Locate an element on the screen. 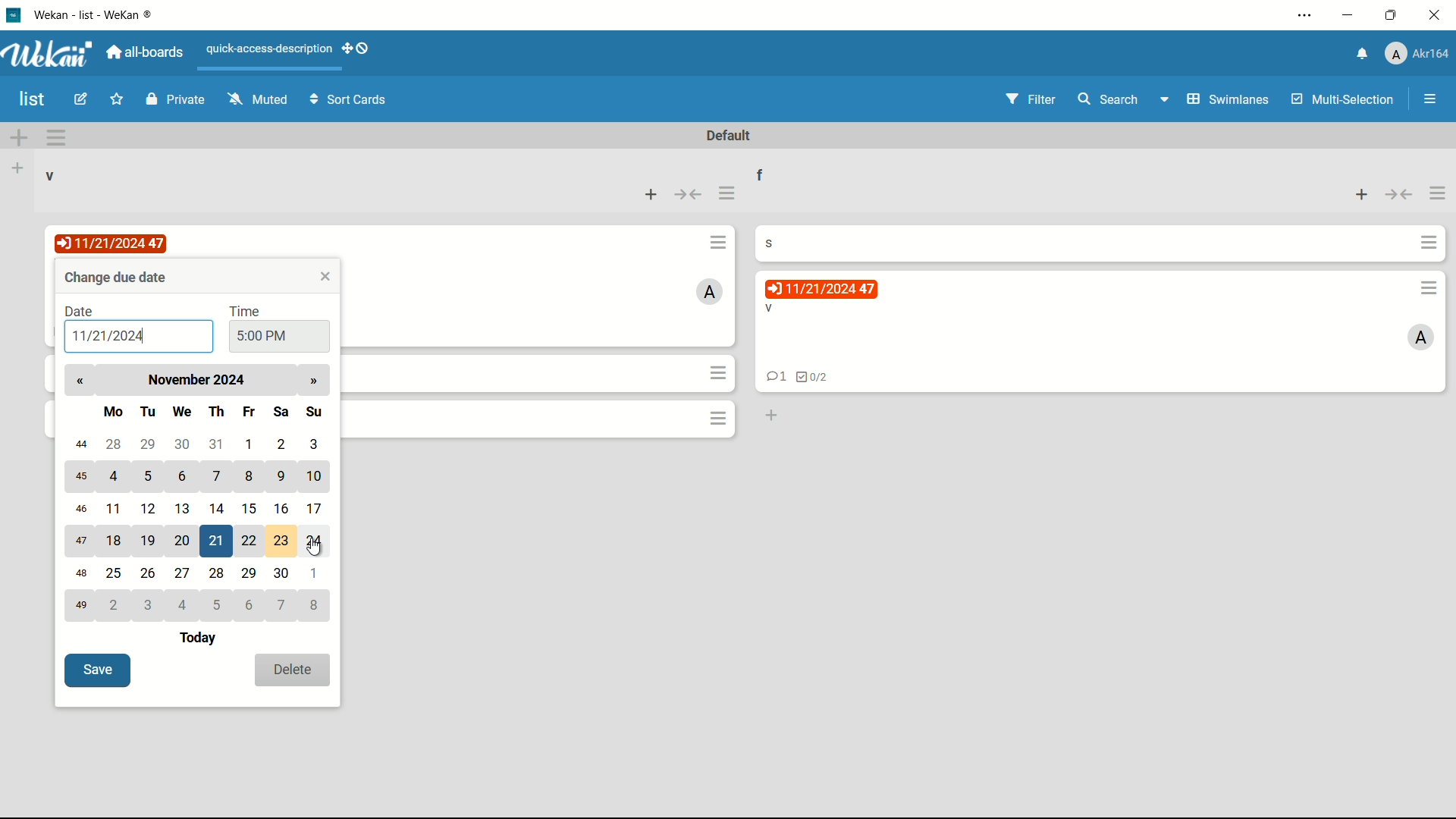 The height and width of the screenshot is (819, 1456). add swimlane is located at coordinates (20, 136).